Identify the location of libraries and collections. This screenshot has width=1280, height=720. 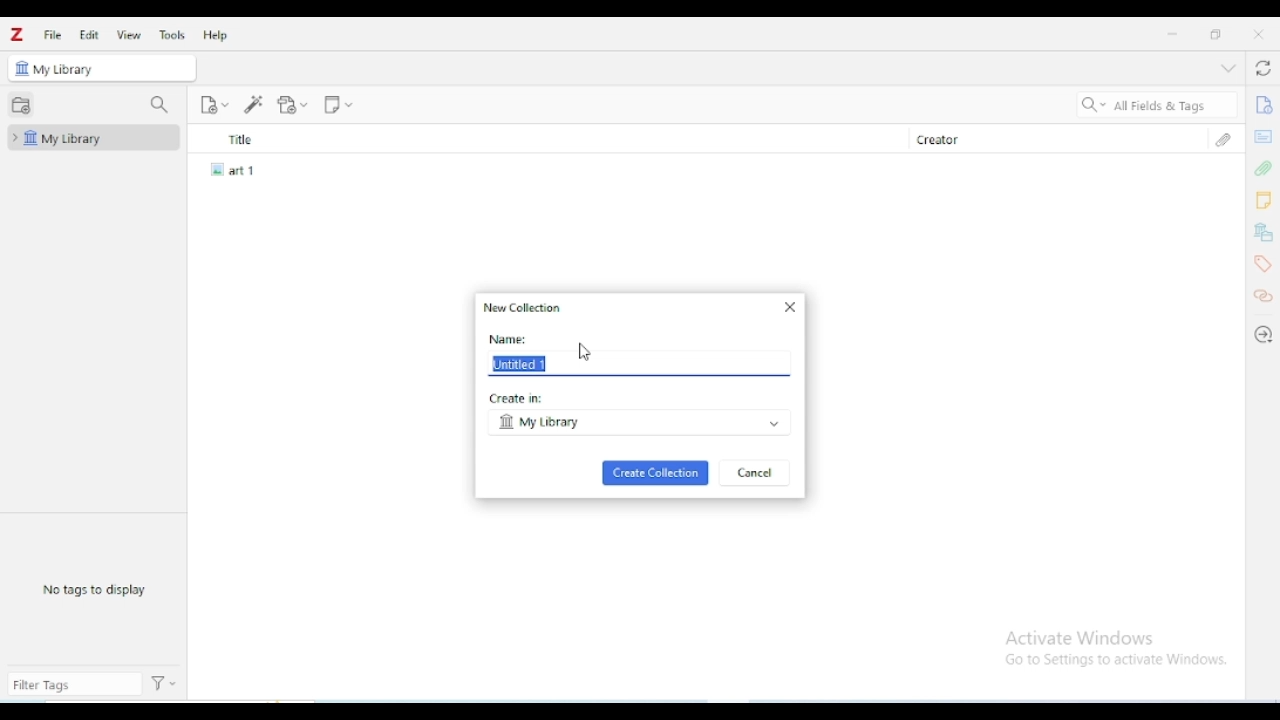
(1264, 233).